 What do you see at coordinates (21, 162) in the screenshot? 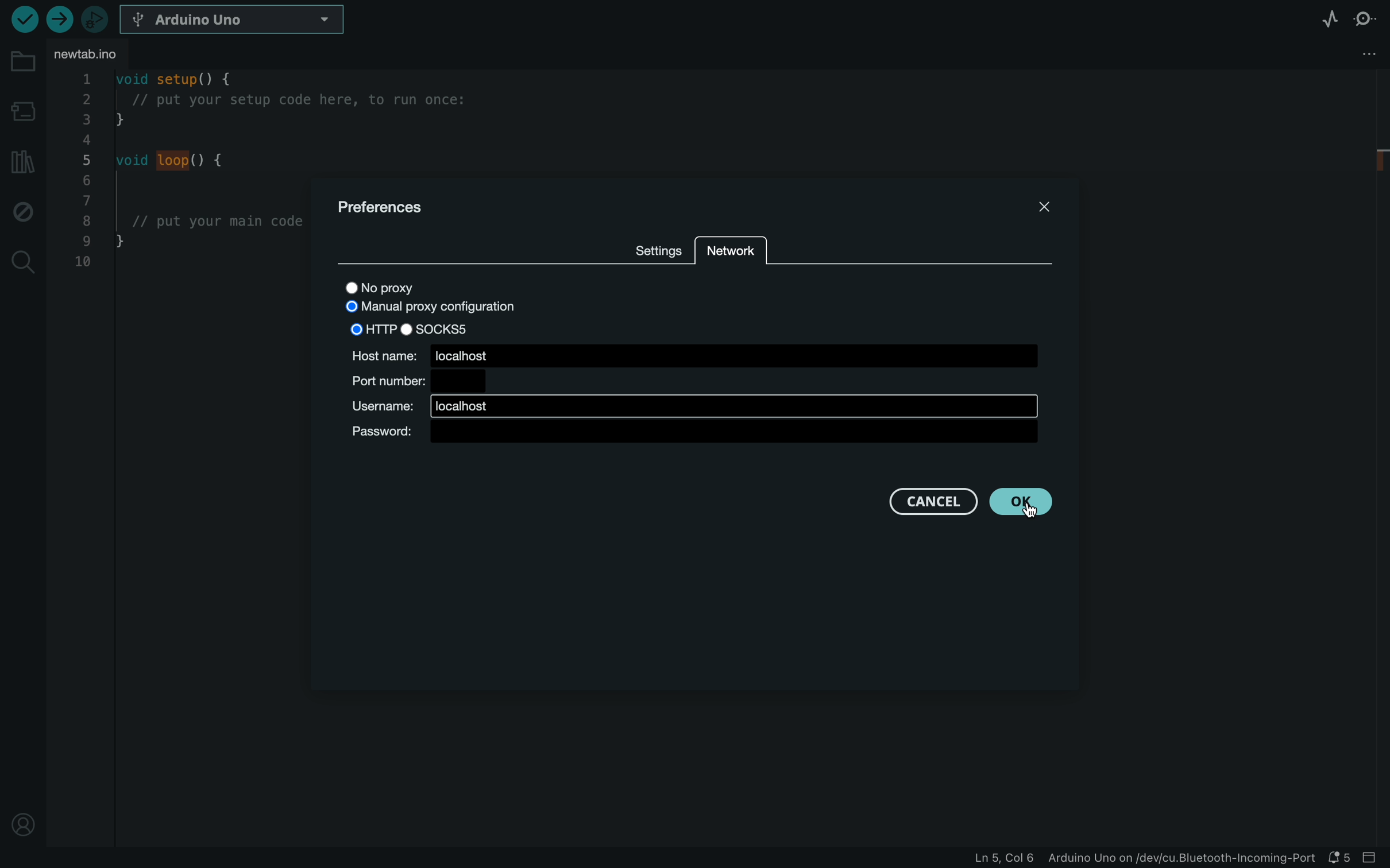
I see `libraries manager` at bounding box center [21, 162].